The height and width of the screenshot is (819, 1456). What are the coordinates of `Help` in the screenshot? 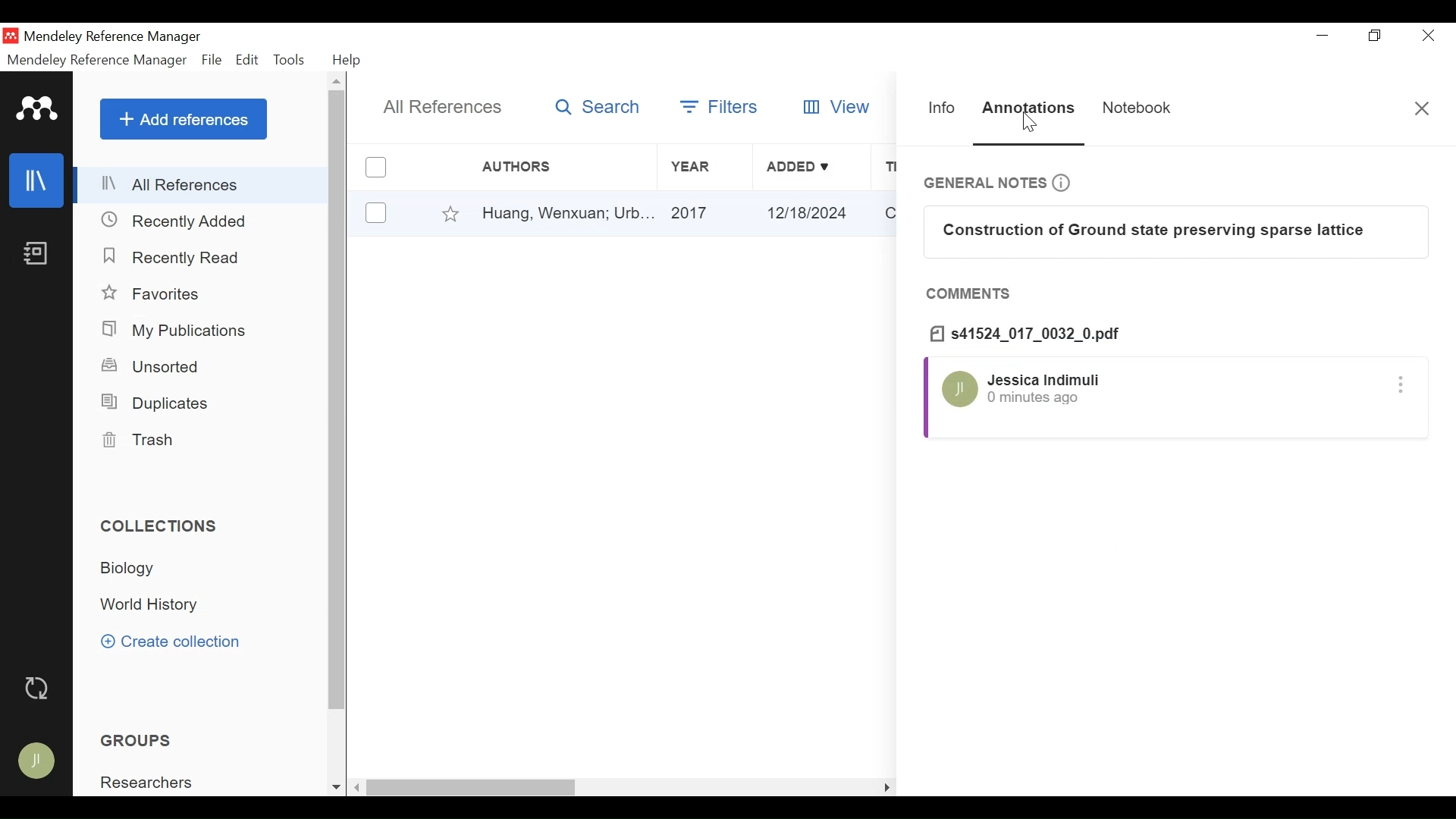 It's located at (347, 60).